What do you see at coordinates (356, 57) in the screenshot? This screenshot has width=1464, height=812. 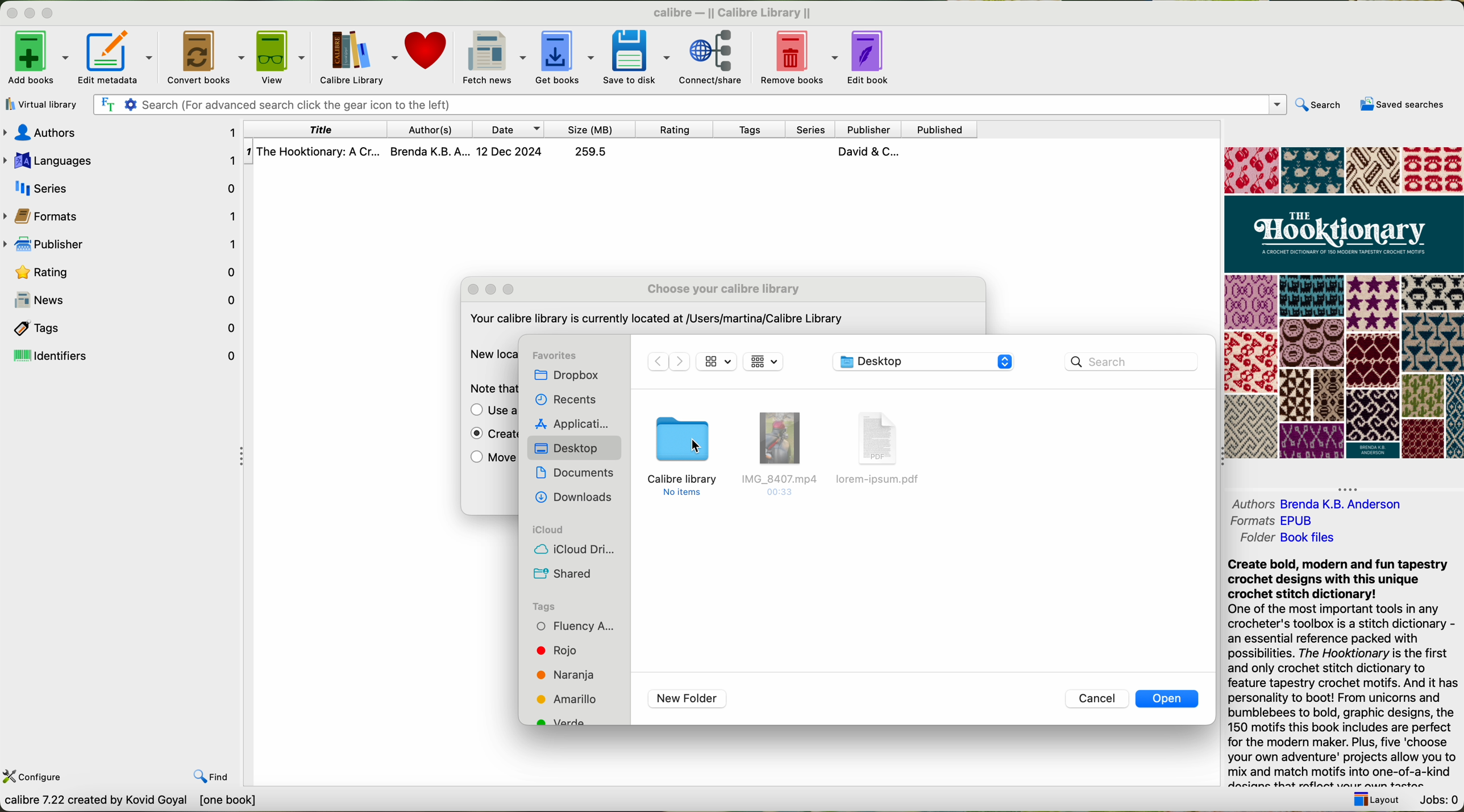 I see `Calibre library` at bounding box center [356, 57].